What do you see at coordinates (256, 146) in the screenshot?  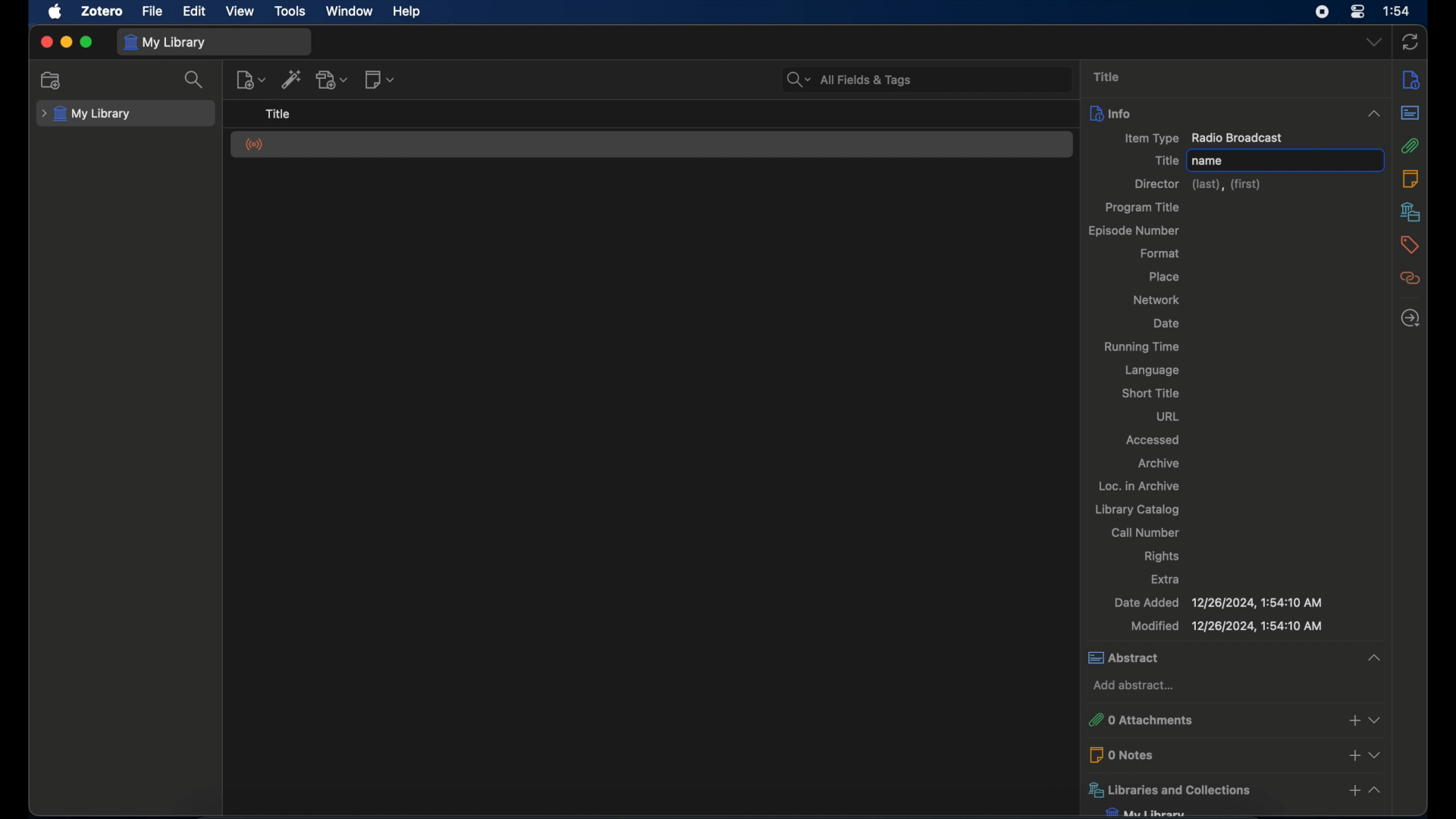 I see `radio broadcast` at bounding box center [256, 146].